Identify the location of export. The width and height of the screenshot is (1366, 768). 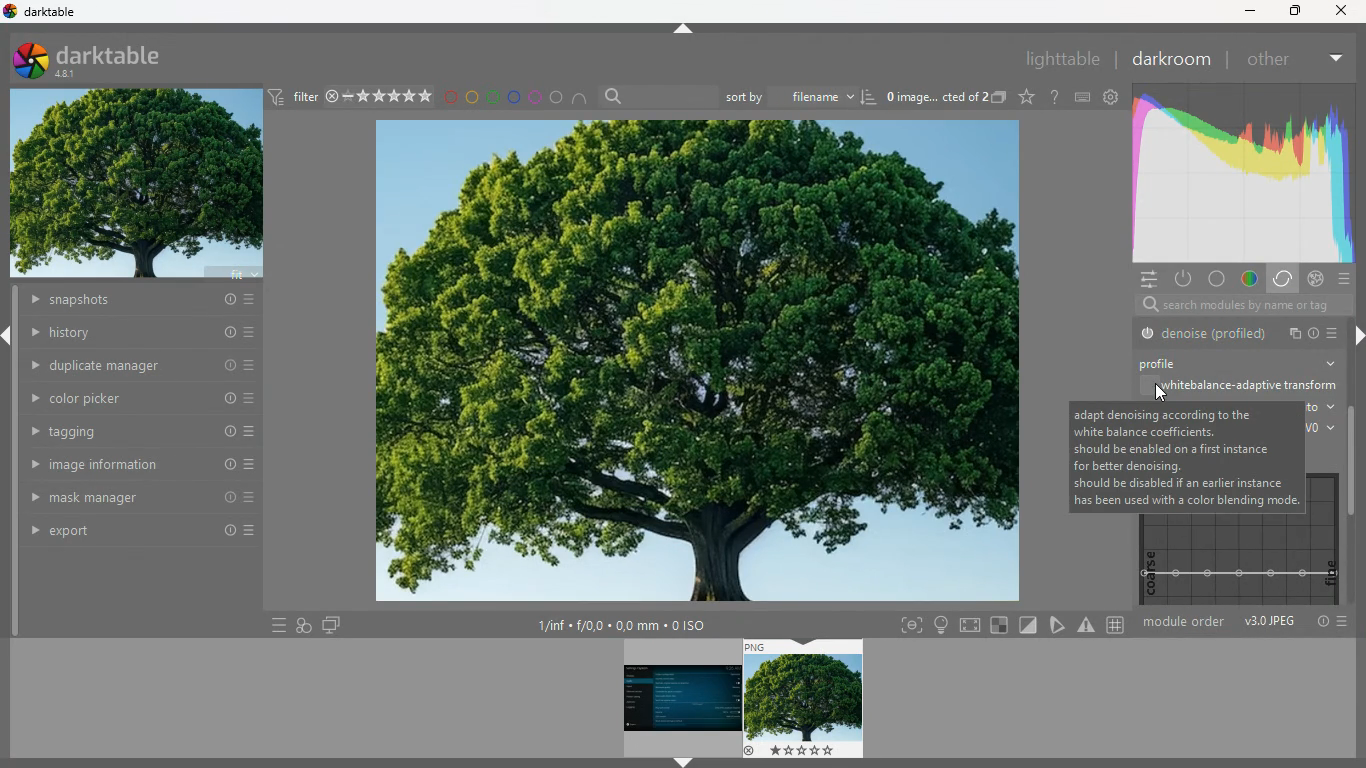
(131, 532).